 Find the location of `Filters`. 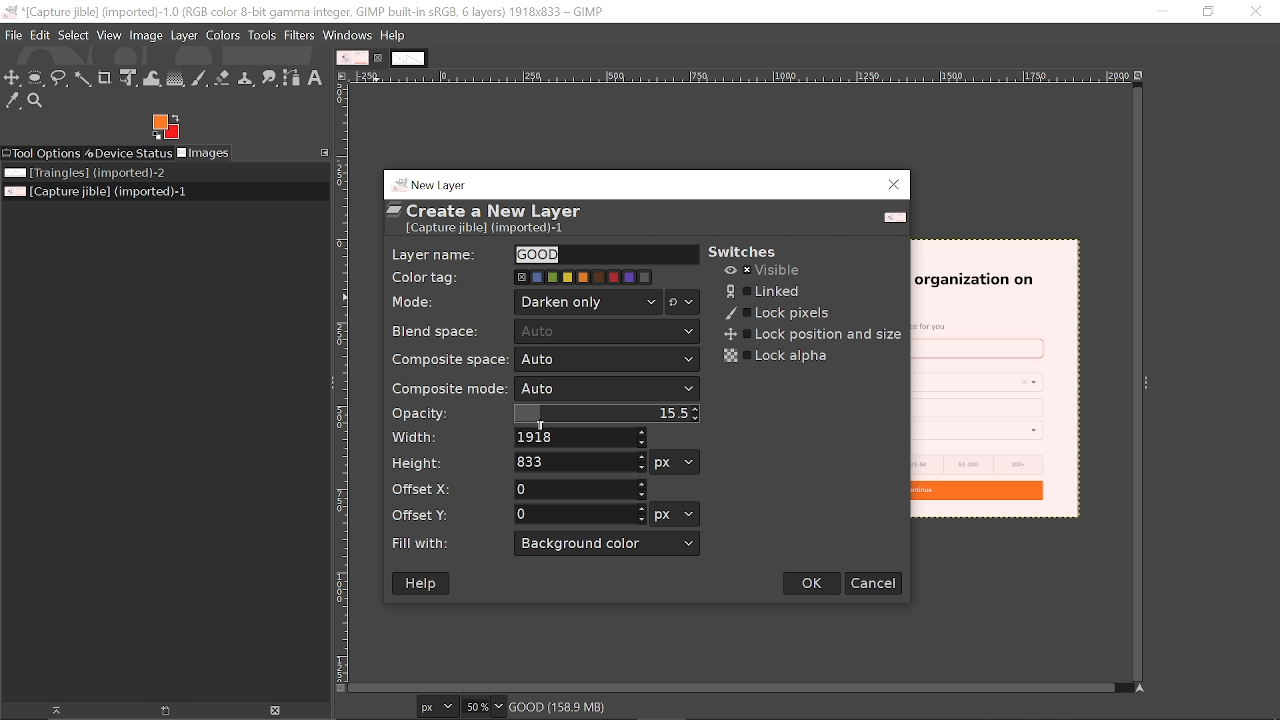

Filters is located at coordinates (300, 35).